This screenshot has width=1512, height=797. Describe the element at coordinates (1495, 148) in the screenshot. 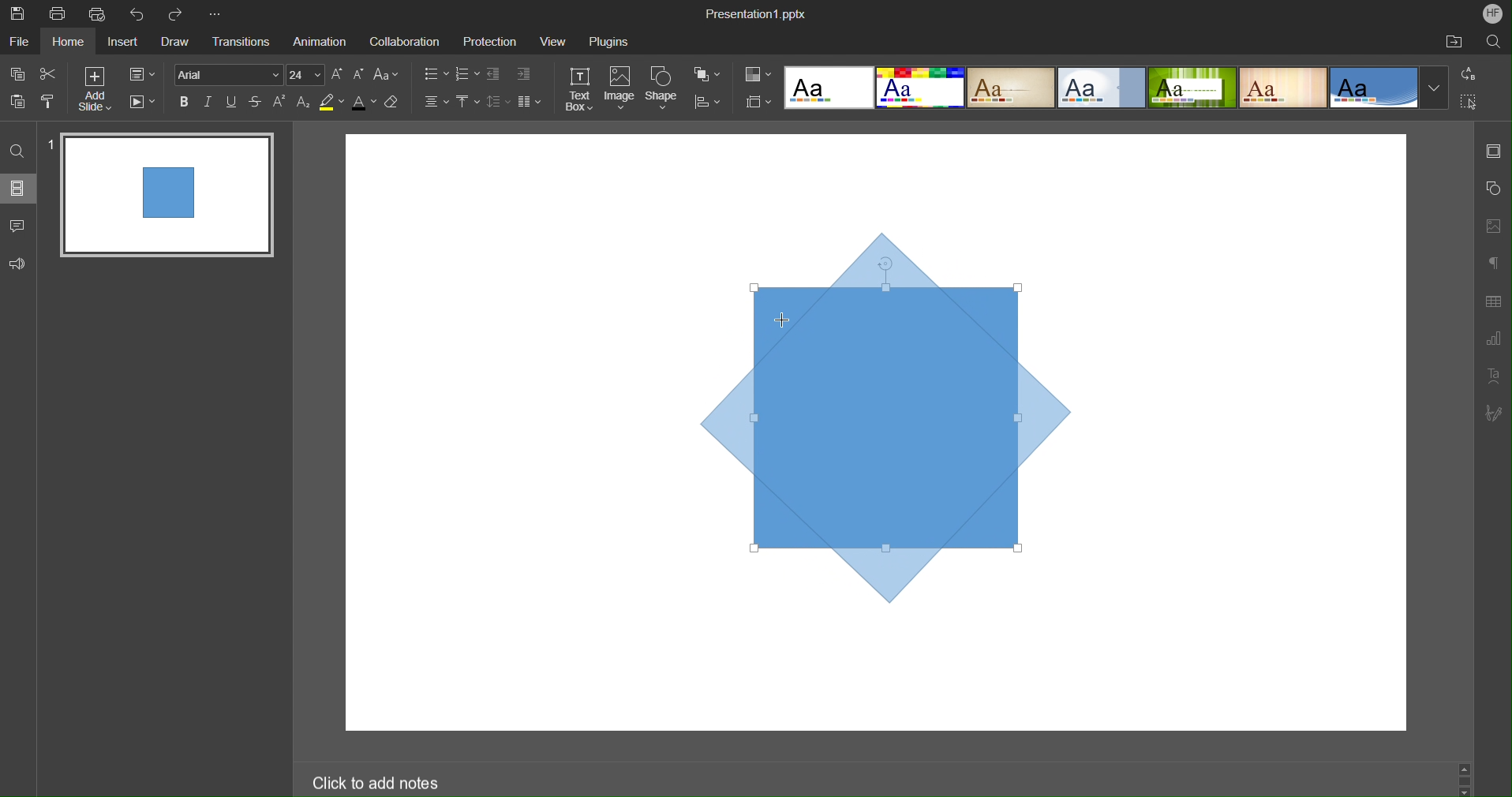

I see `Slide Settings` at that location.